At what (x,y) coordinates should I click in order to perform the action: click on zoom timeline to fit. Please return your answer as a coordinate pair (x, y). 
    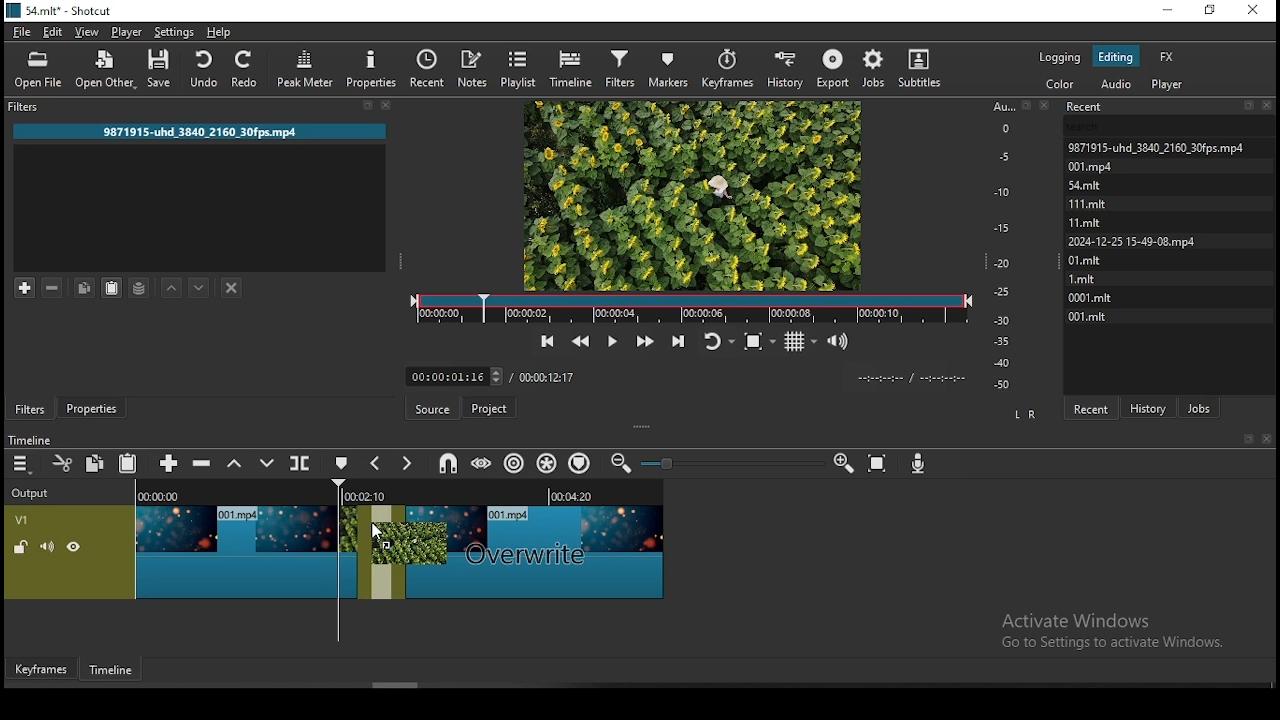
    Looking at the image, I should click on (880, 465).